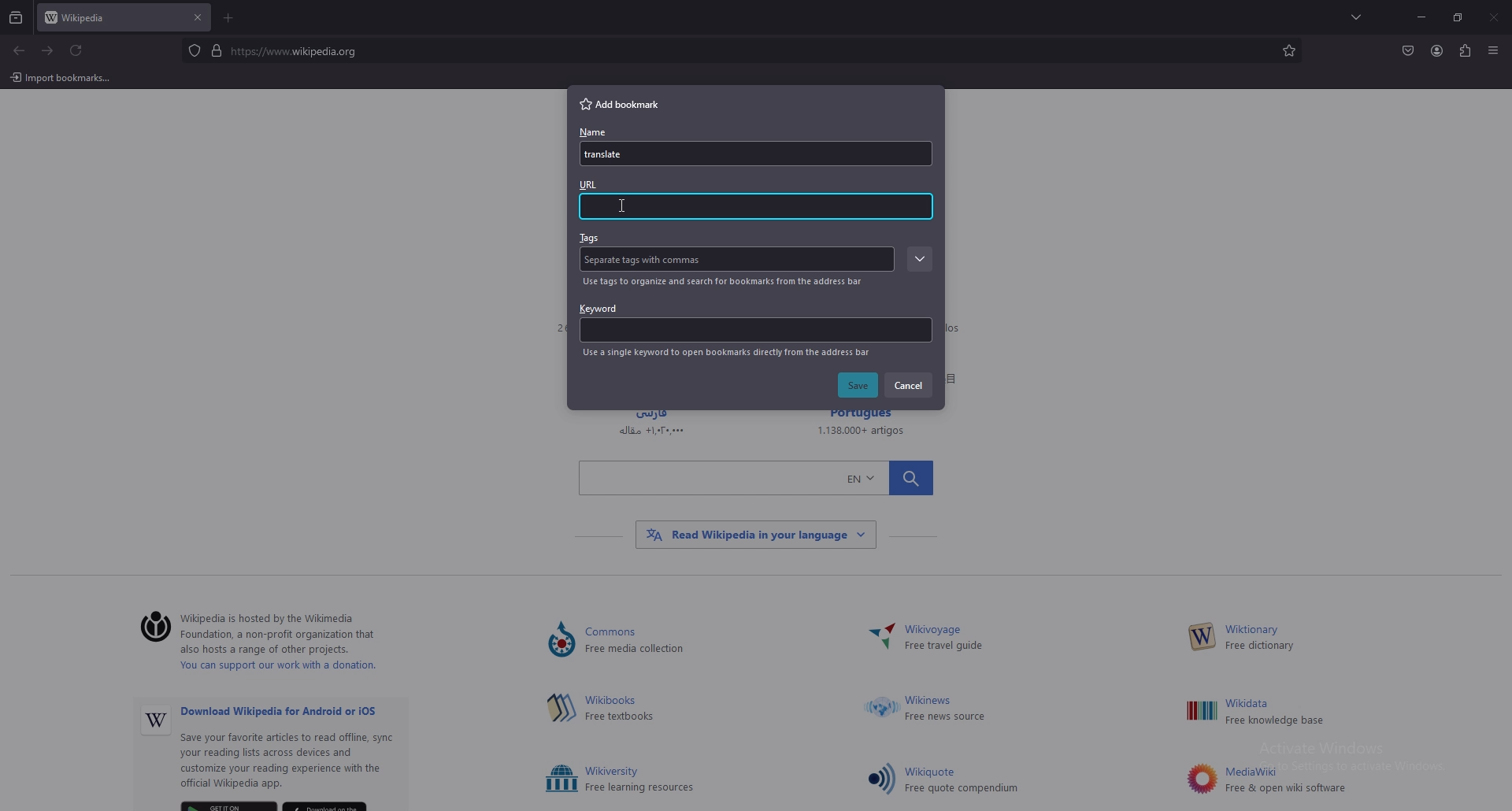  Describe the element at coordinates (1198, 779) in the screenshot. I see `` at that location.